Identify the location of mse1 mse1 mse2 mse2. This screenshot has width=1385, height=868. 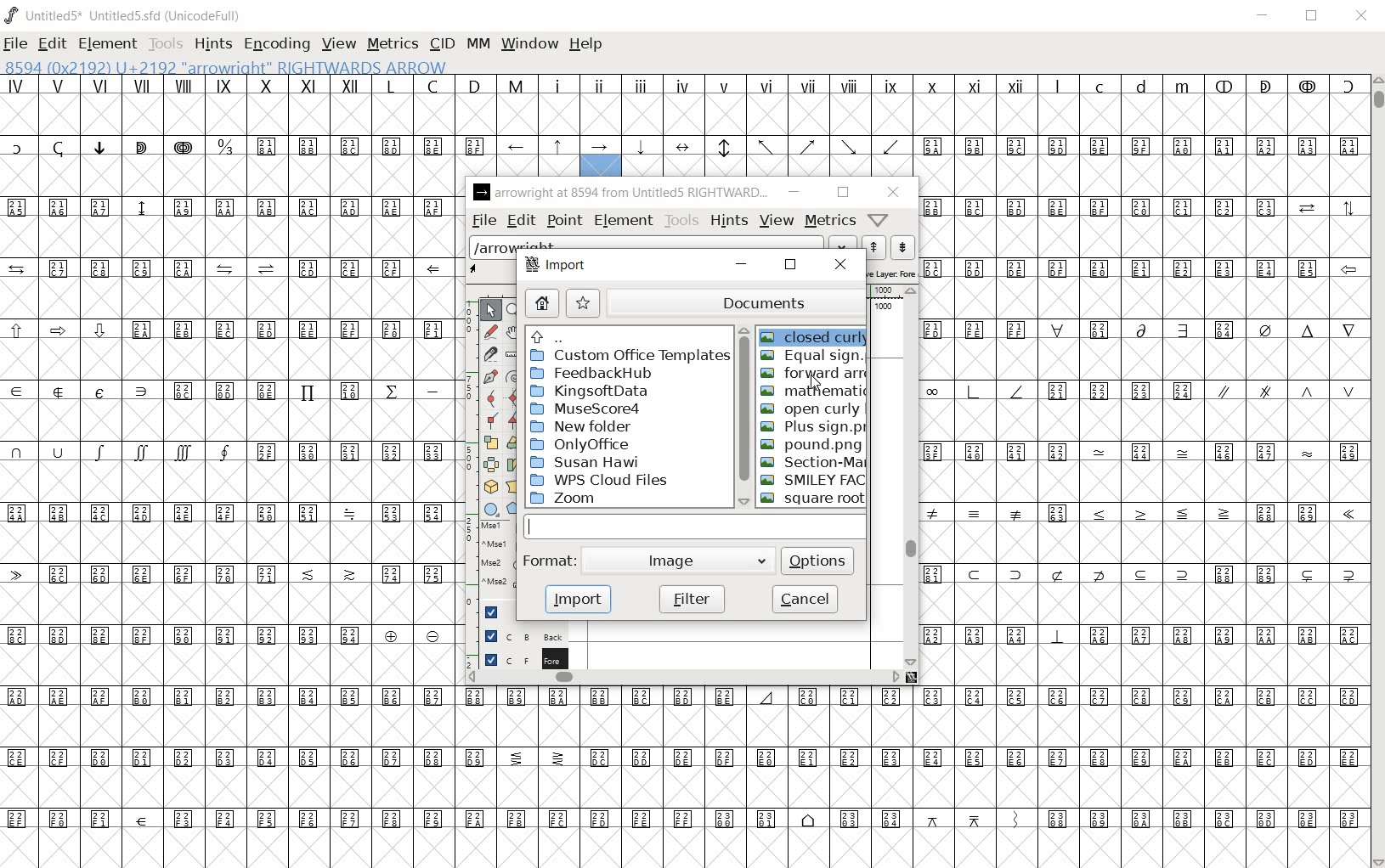
(488, 558).